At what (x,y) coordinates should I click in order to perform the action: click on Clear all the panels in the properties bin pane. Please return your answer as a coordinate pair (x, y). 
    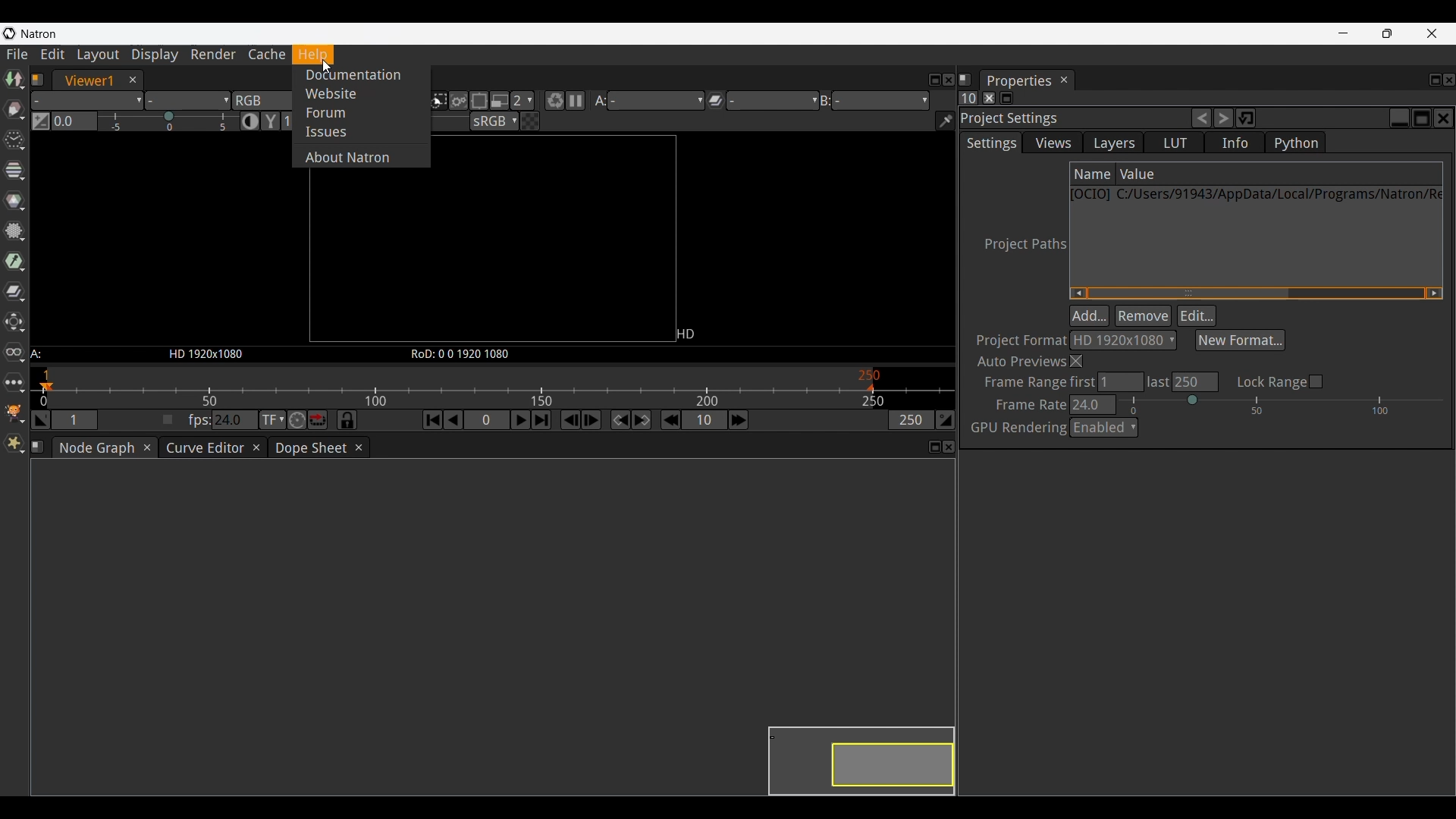
    Looking at the image, I should click on (989, 98).